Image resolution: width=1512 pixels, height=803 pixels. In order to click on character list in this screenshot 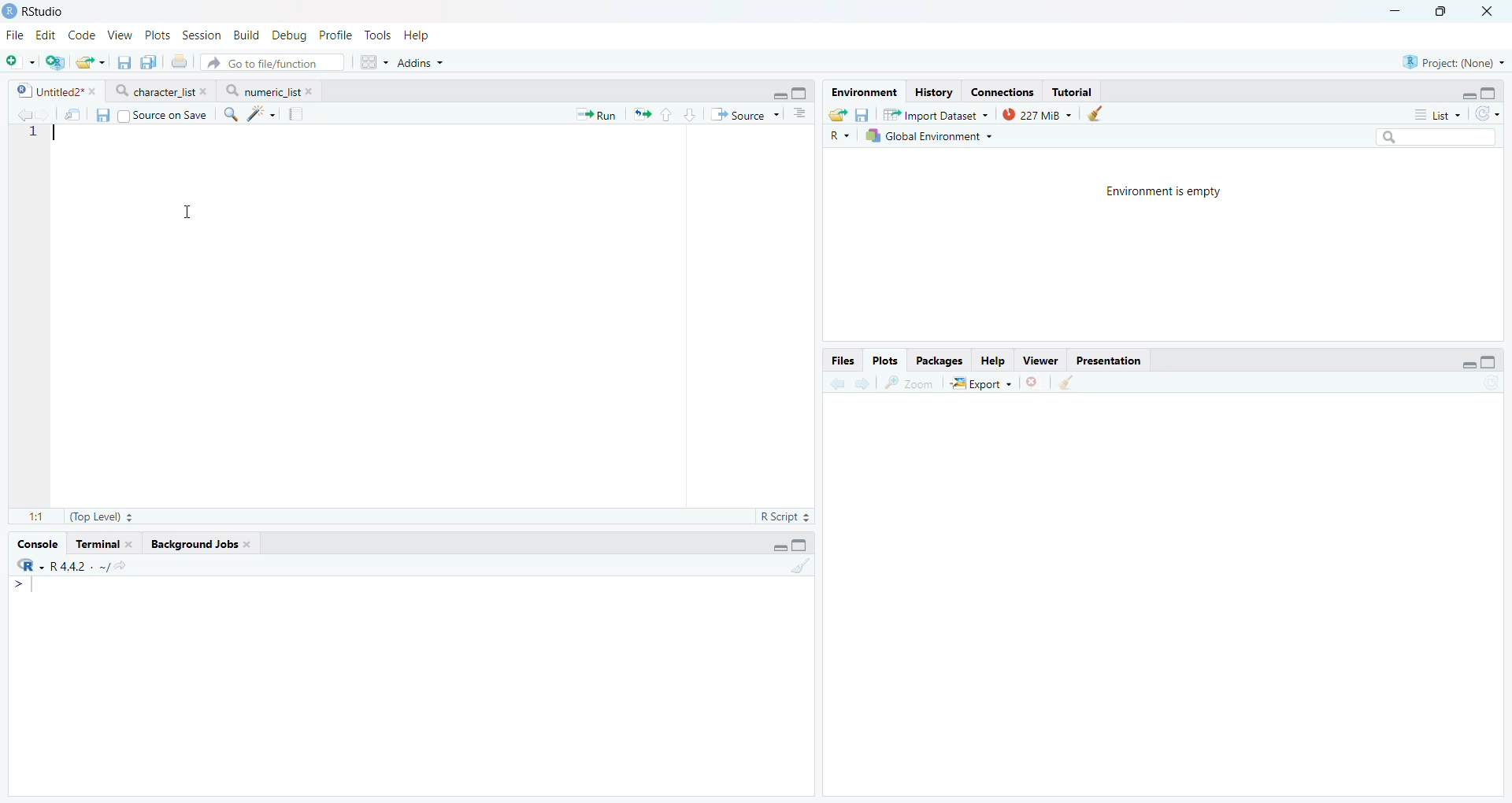, I will do `click(161, 91)`.